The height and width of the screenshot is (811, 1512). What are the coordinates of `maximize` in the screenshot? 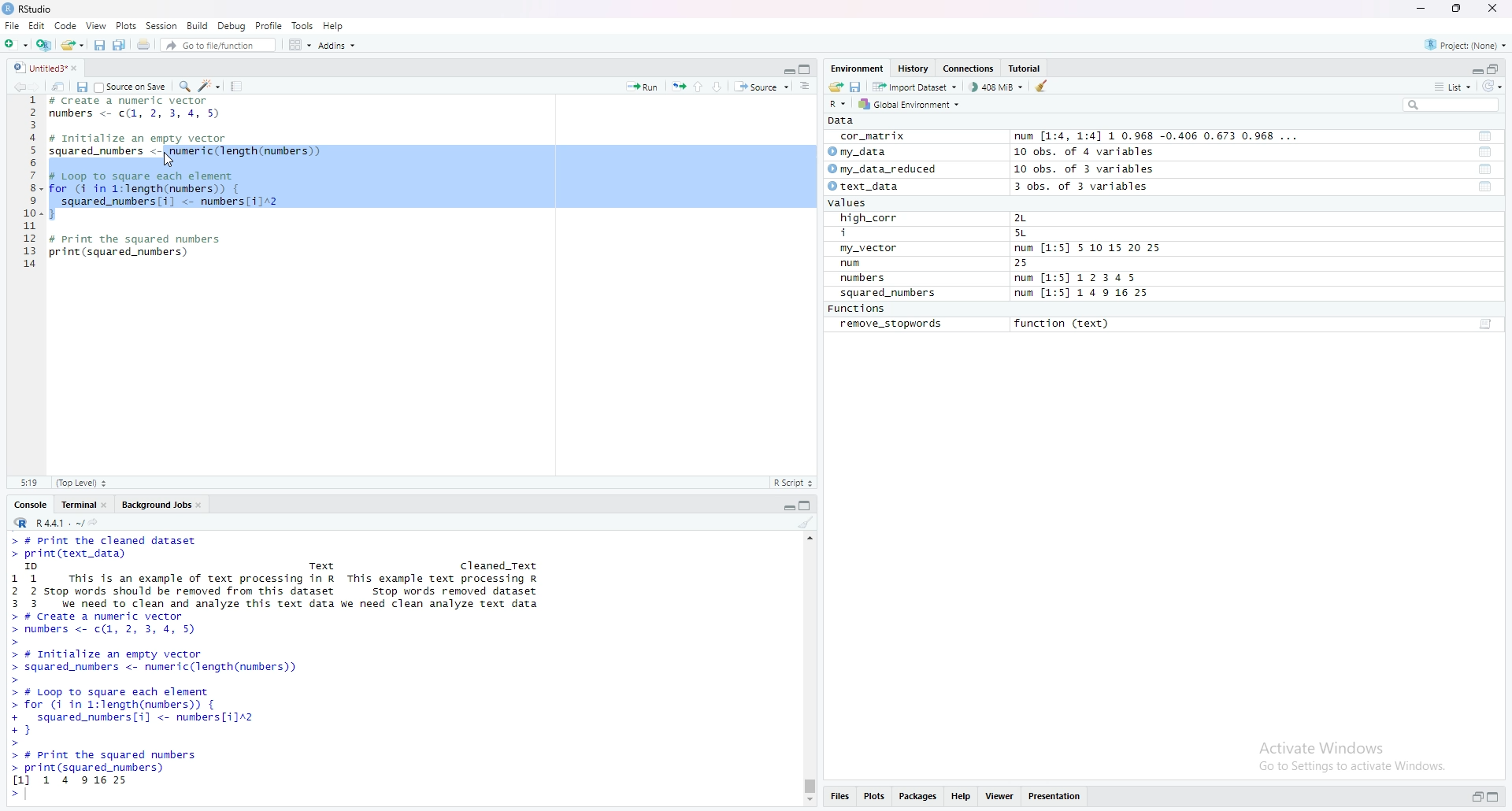 It's located at (1495, 68).